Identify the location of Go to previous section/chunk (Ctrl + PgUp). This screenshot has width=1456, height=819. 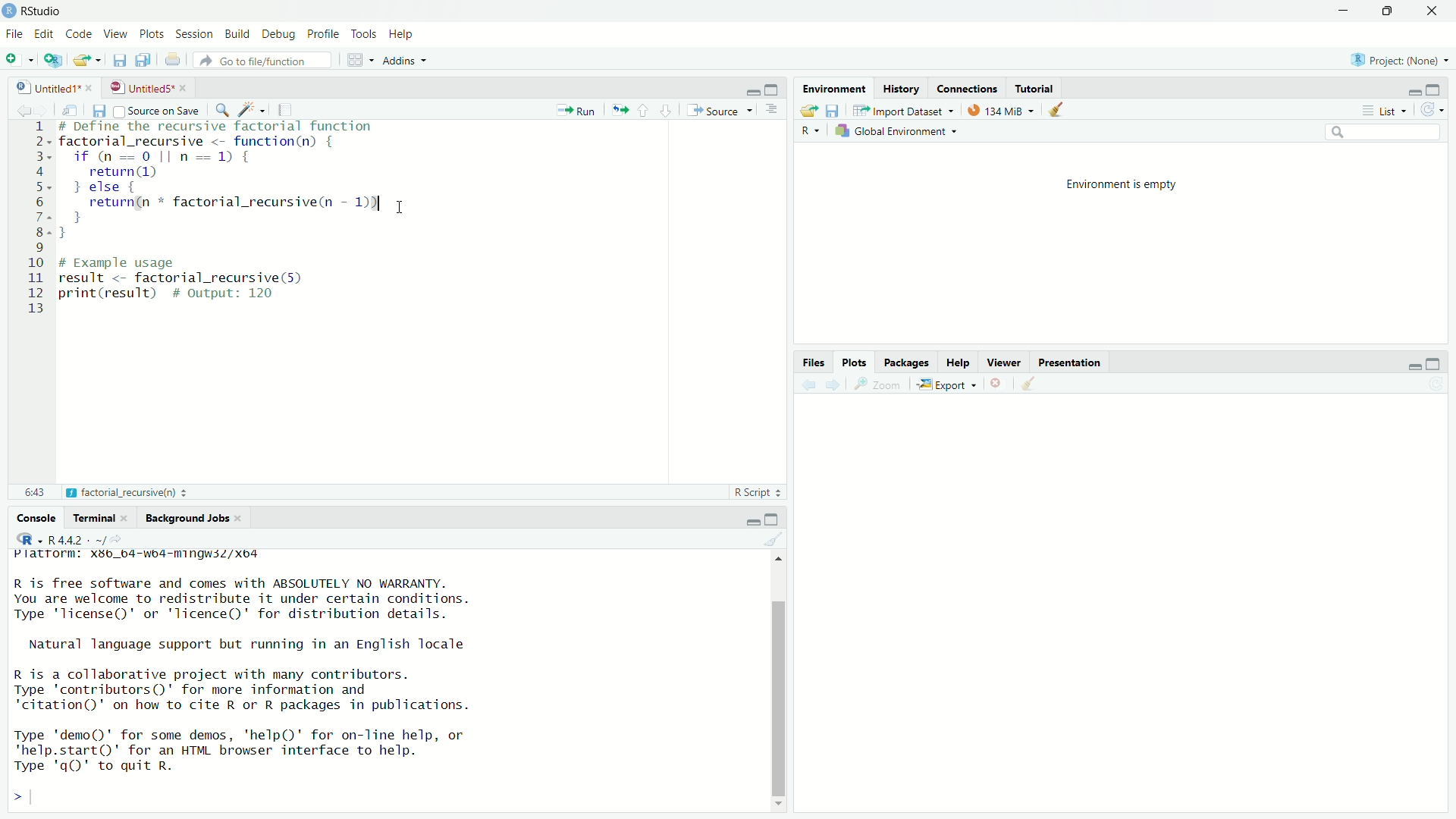
(645, 109).